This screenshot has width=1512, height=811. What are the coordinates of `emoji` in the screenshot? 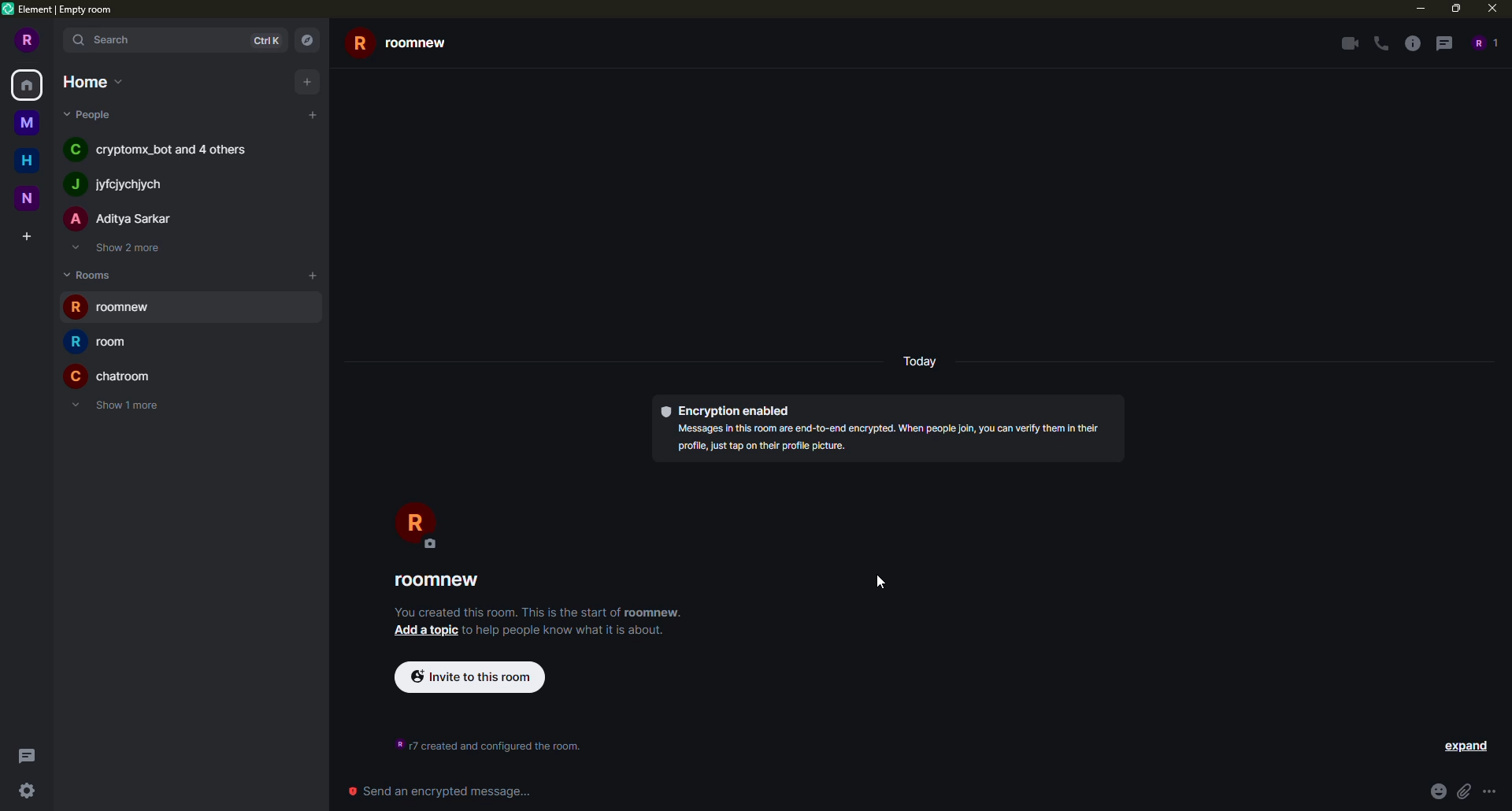 It's located at (1438, 791).